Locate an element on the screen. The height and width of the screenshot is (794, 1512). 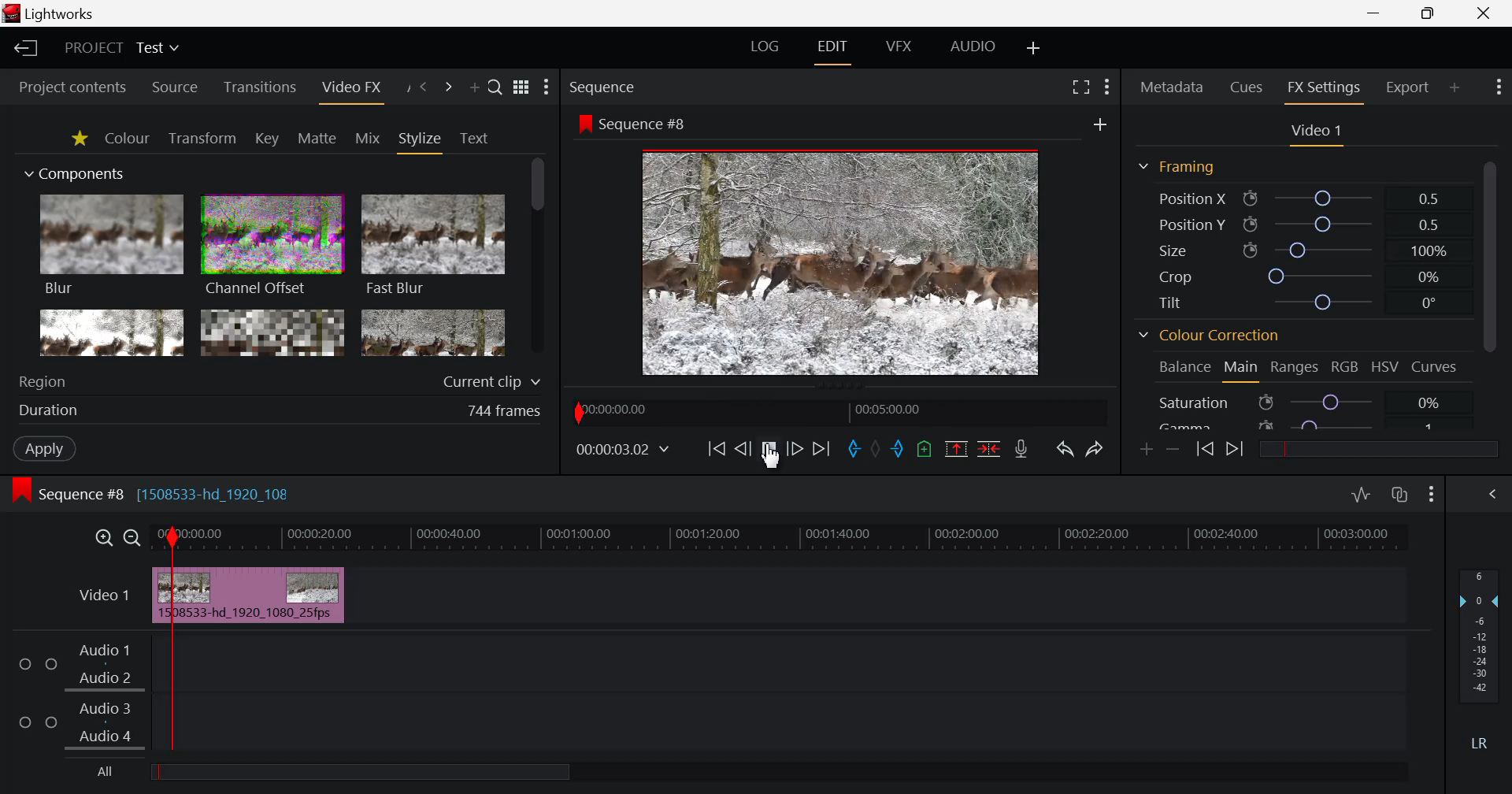
Add Panel is located at coordinates (1455, 86).